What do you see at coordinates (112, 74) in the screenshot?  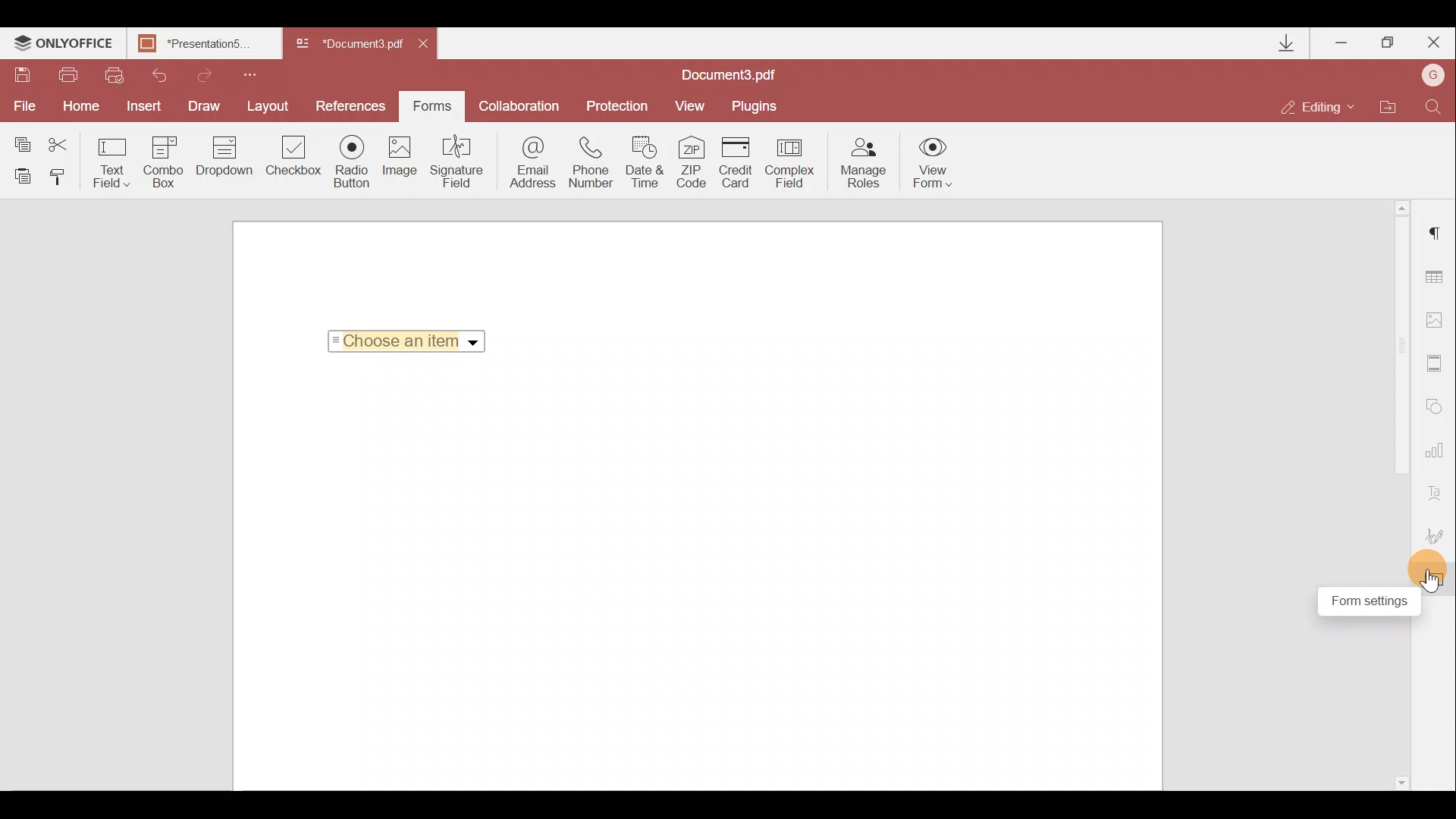 I see `Quick print` at bounding box center [112, 74].